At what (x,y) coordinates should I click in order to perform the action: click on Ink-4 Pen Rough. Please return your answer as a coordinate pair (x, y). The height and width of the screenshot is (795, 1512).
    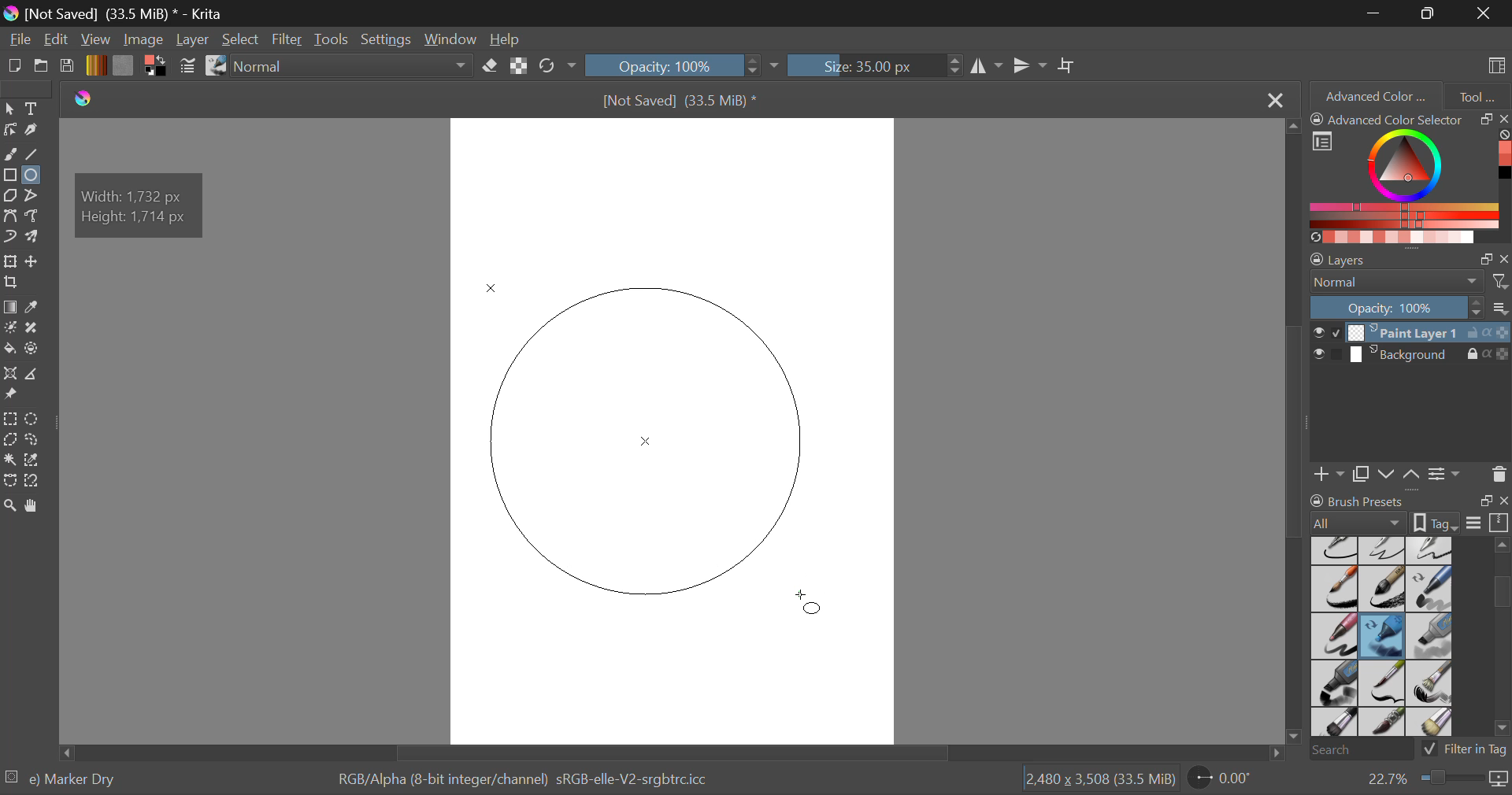
    Looking at the image, I should click on (1430, 549).